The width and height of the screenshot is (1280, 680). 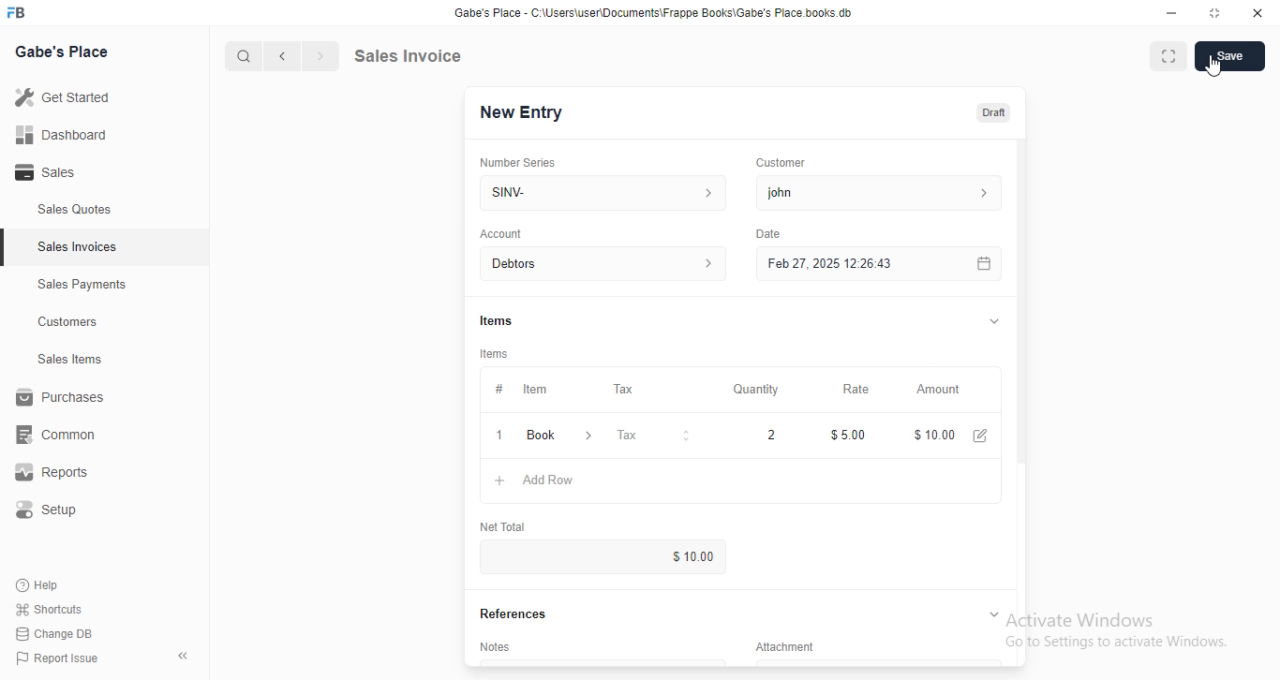 I want to click on Account, so click(x=501, y=233).